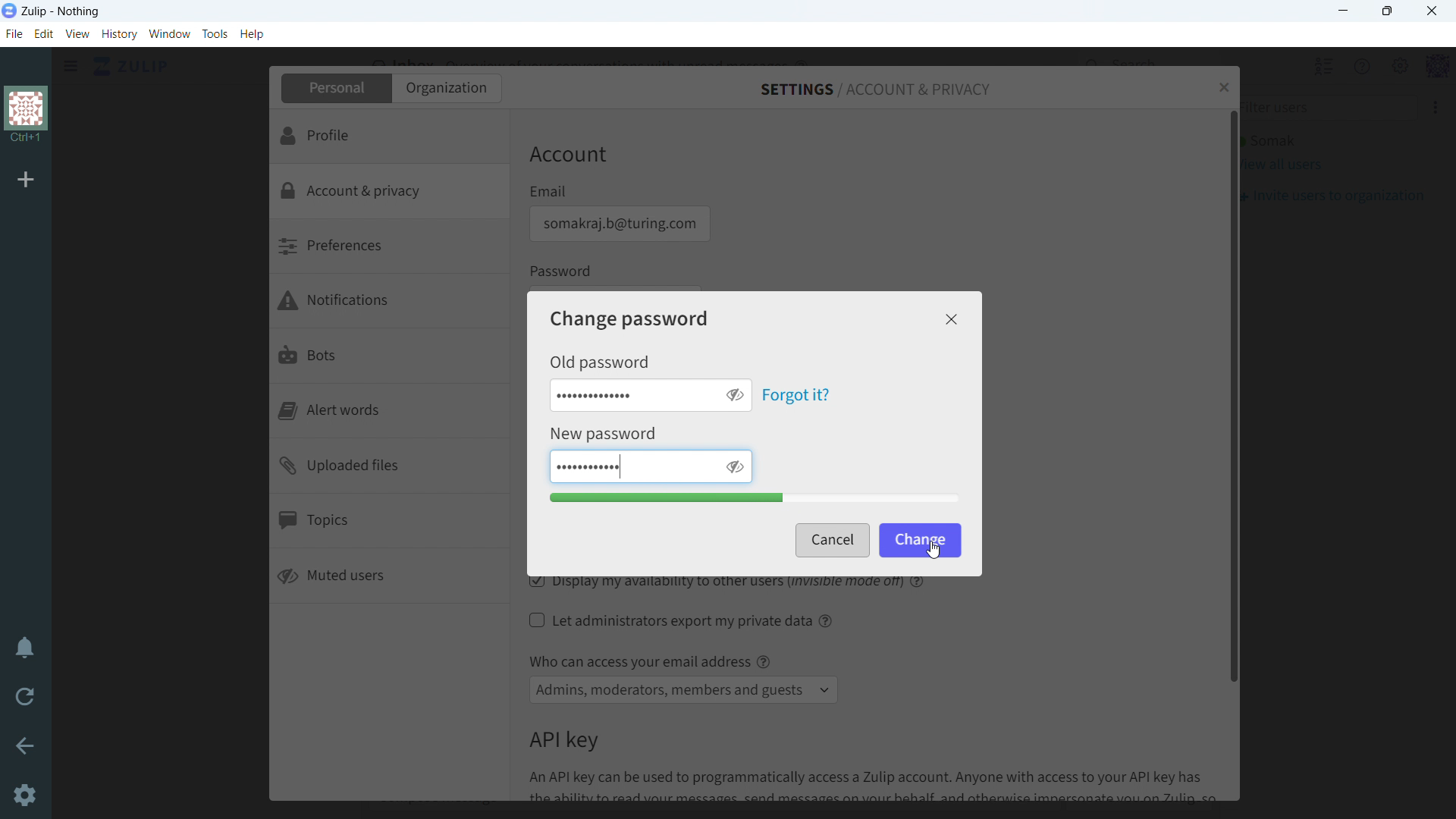  Describe the element at coordinates (120, 34) in the screenshot. I see `history` at that location.